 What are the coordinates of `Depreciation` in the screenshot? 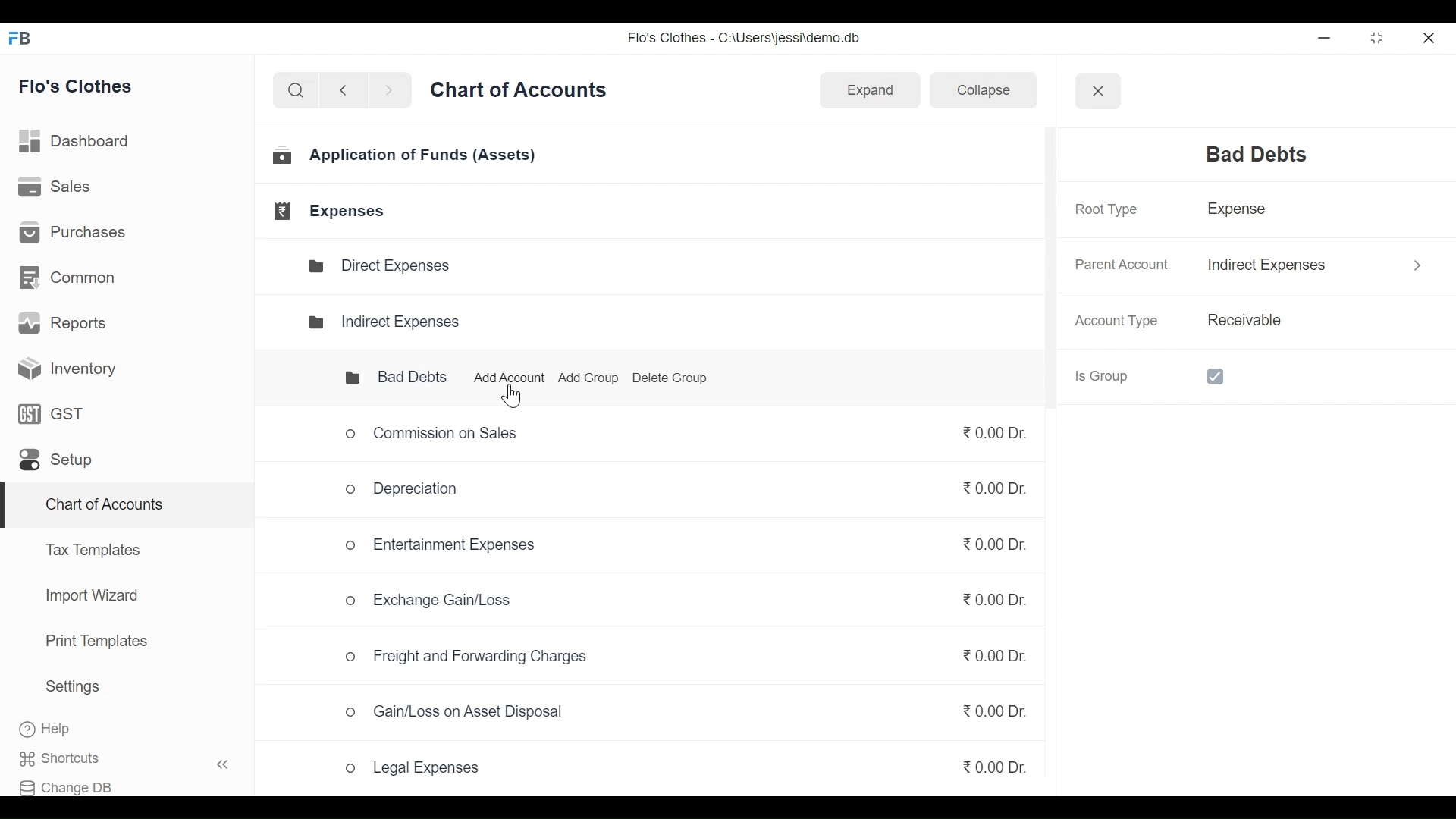 It's located at (408, 492).